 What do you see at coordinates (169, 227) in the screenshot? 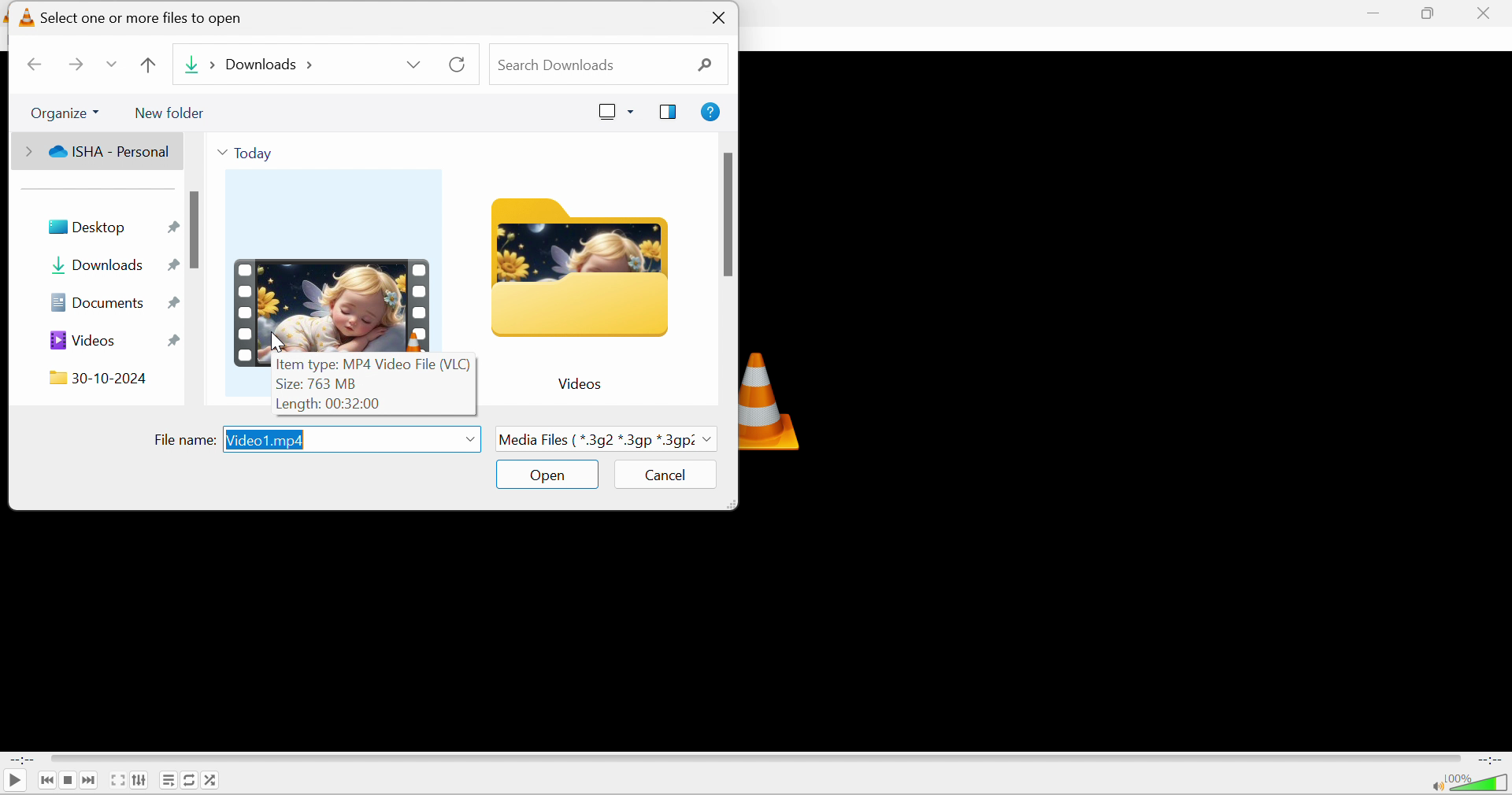
I see `Pin` at bounding box center [169, 227].